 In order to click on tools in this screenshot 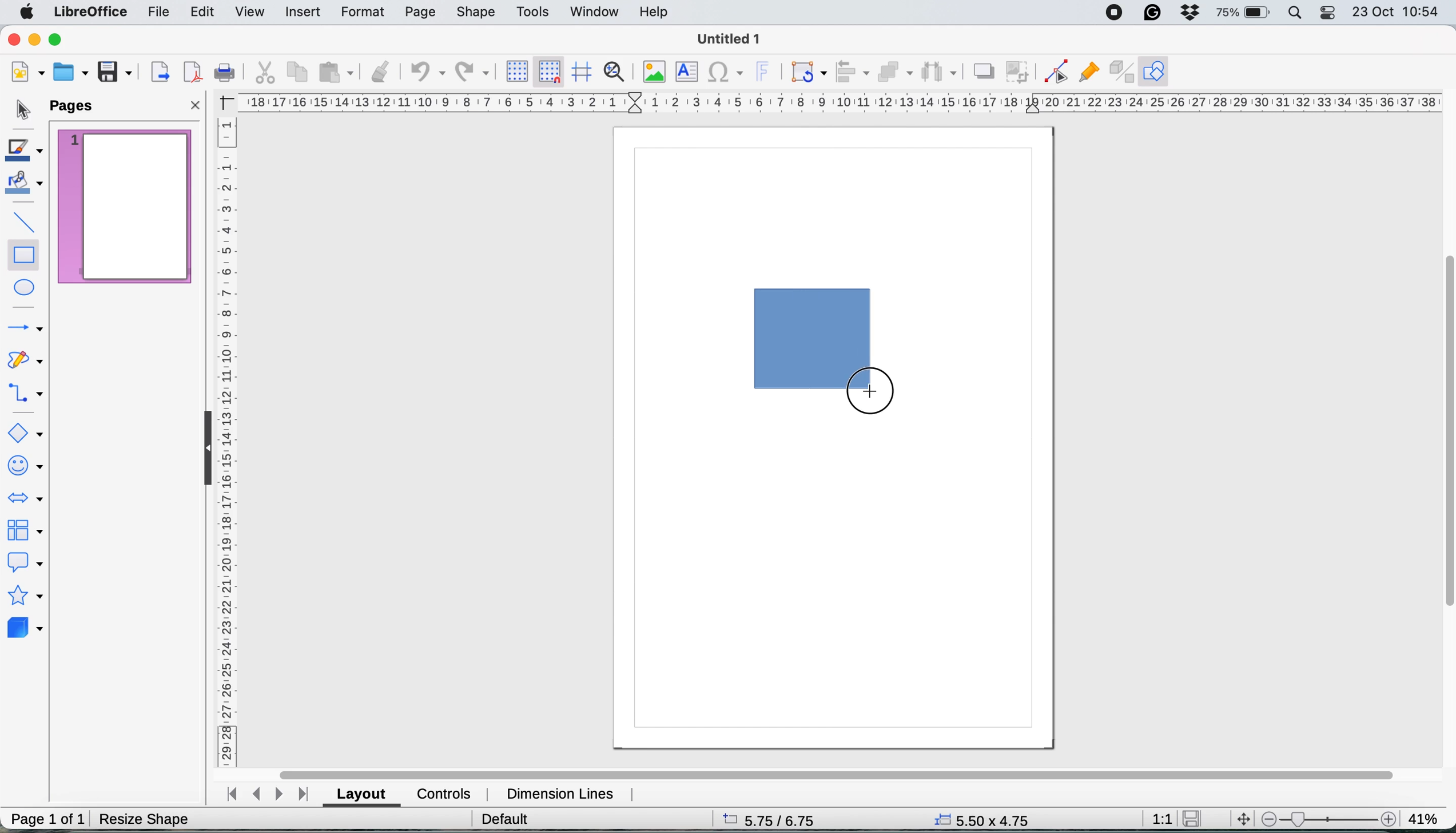, I will do `click(534, 11)`.